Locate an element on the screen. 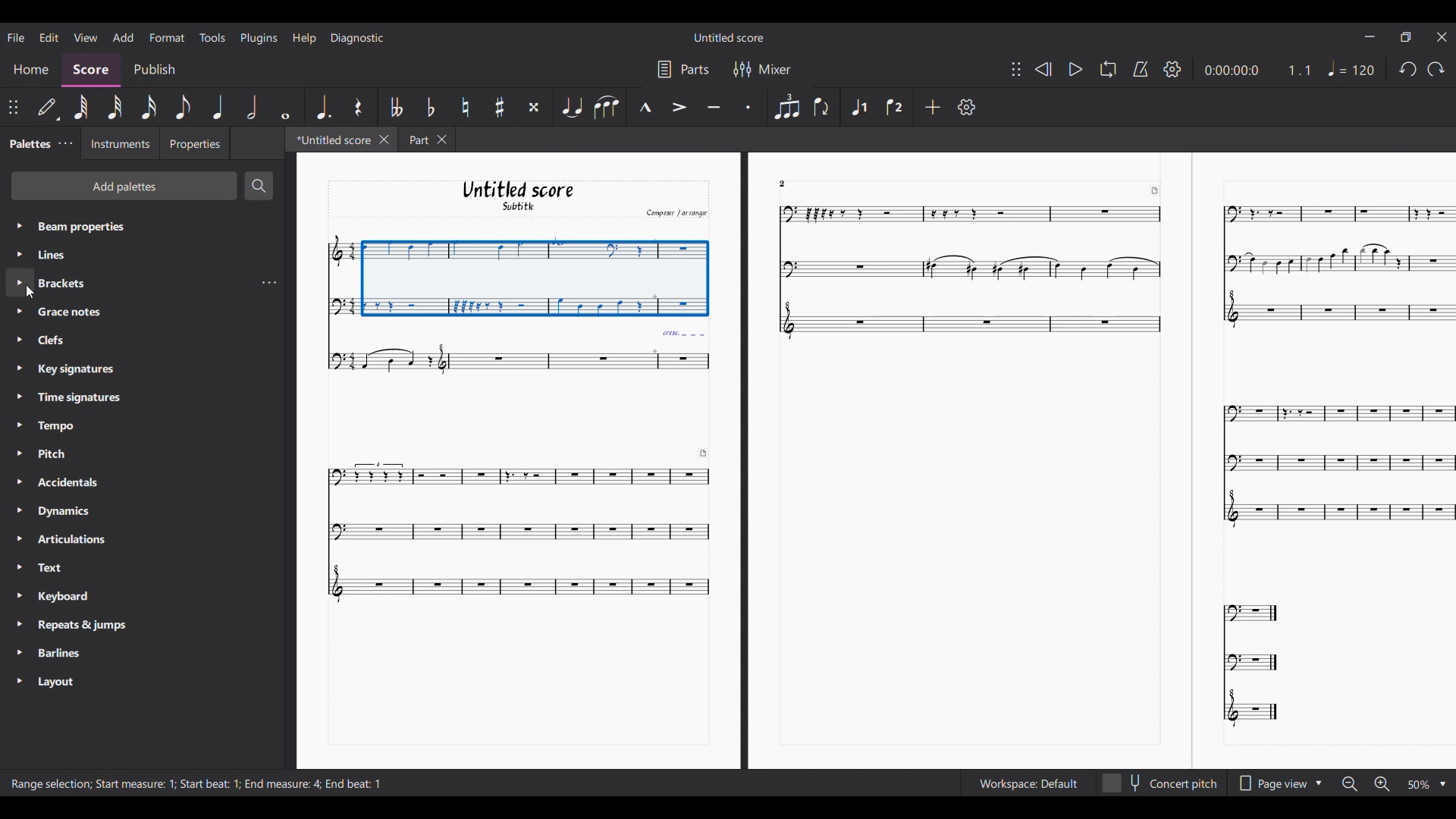  Repeats & Jumps is located at coordinates (82, 626).